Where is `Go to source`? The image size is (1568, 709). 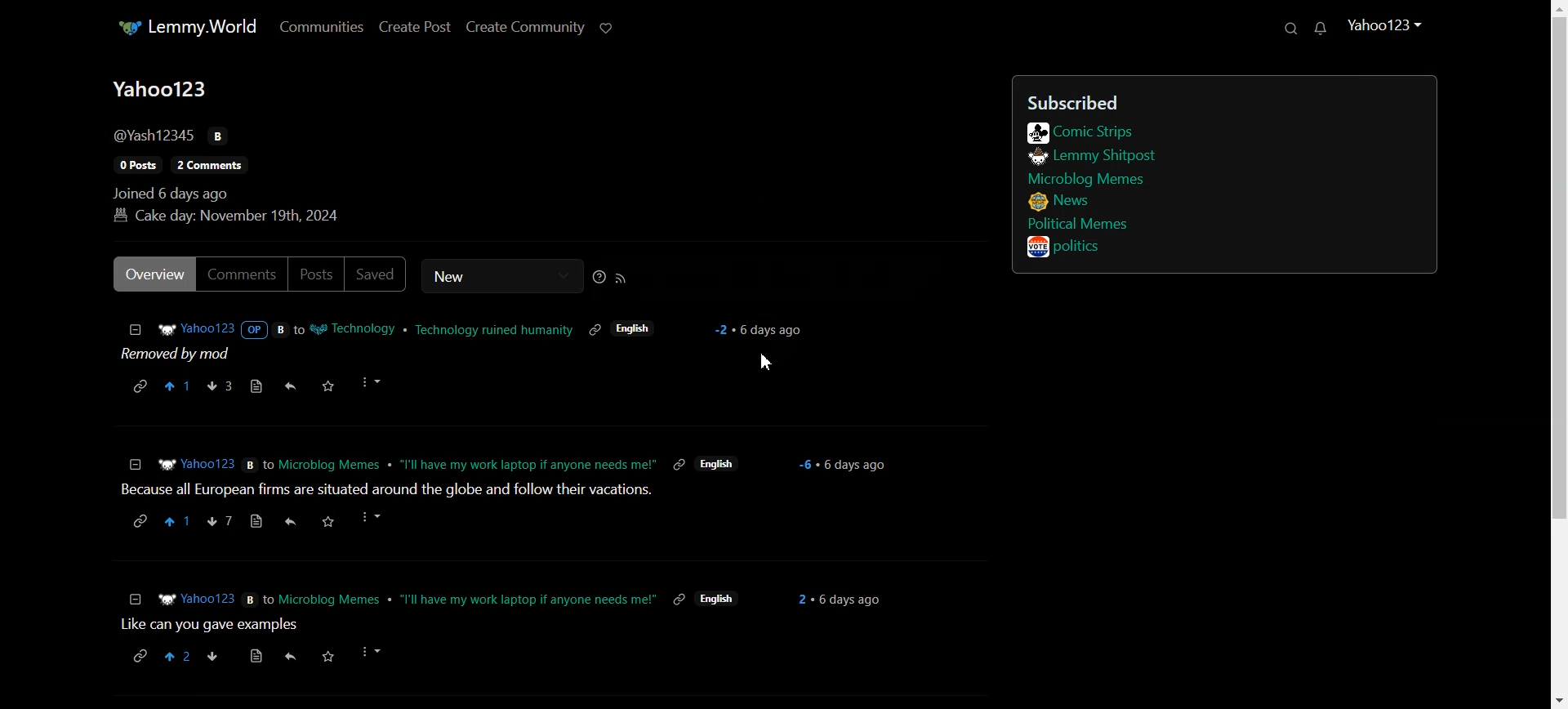
Go to source is located at coordinates (259, 386).